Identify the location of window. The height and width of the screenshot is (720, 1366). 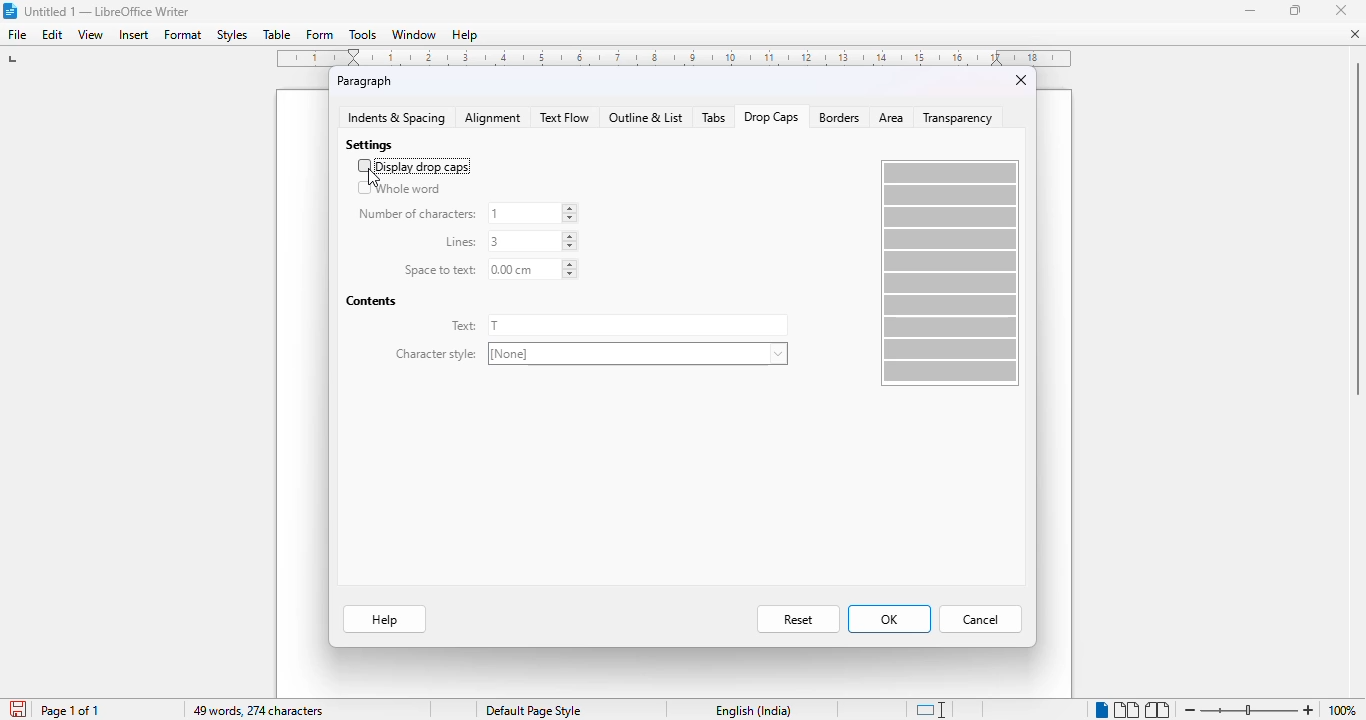
(413, 34).